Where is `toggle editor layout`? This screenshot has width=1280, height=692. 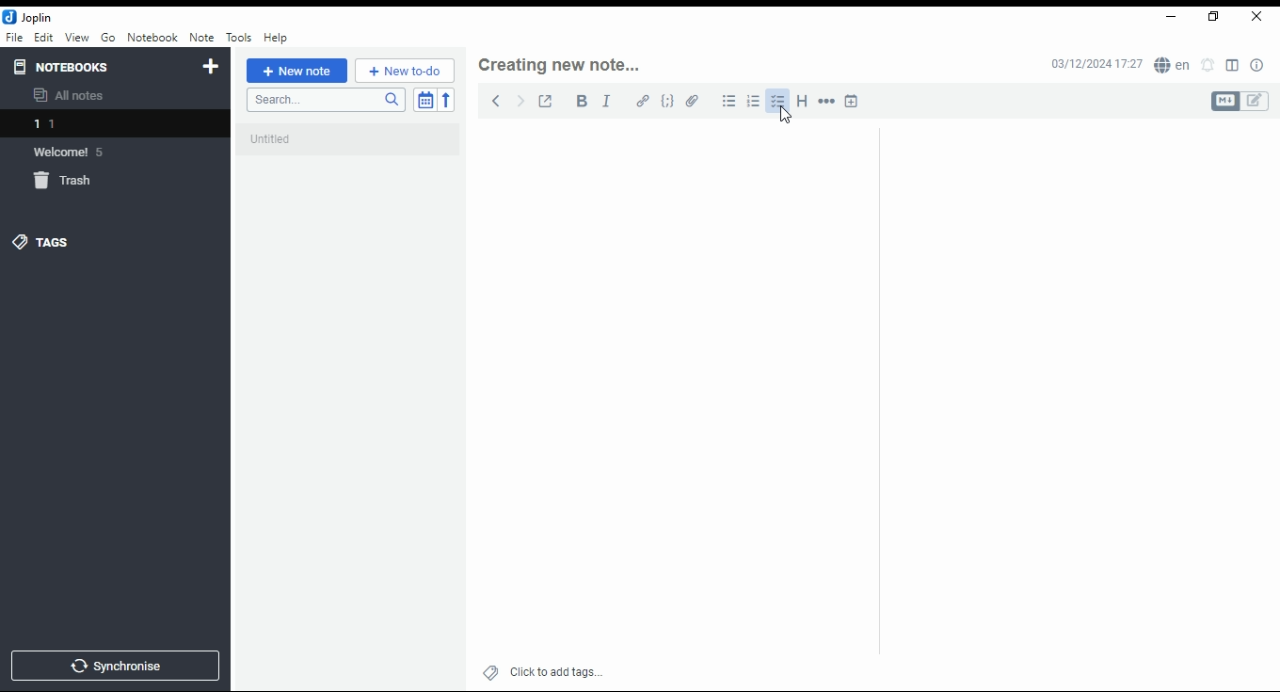 toggle editor layout is located at coordinates (1233, 63).